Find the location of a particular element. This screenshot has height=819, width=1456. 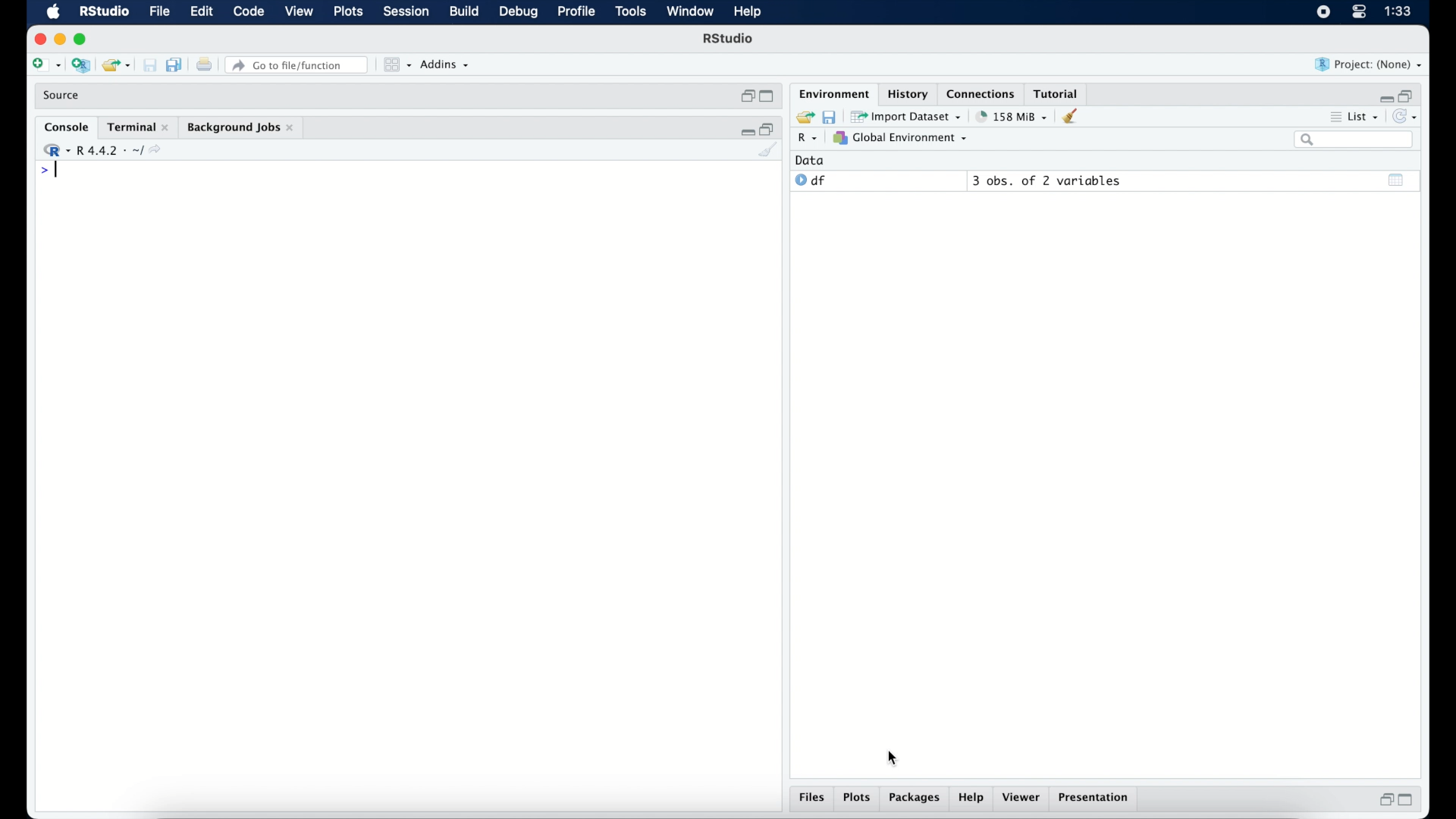

Go to file/function is located at coordinates (297, 64).